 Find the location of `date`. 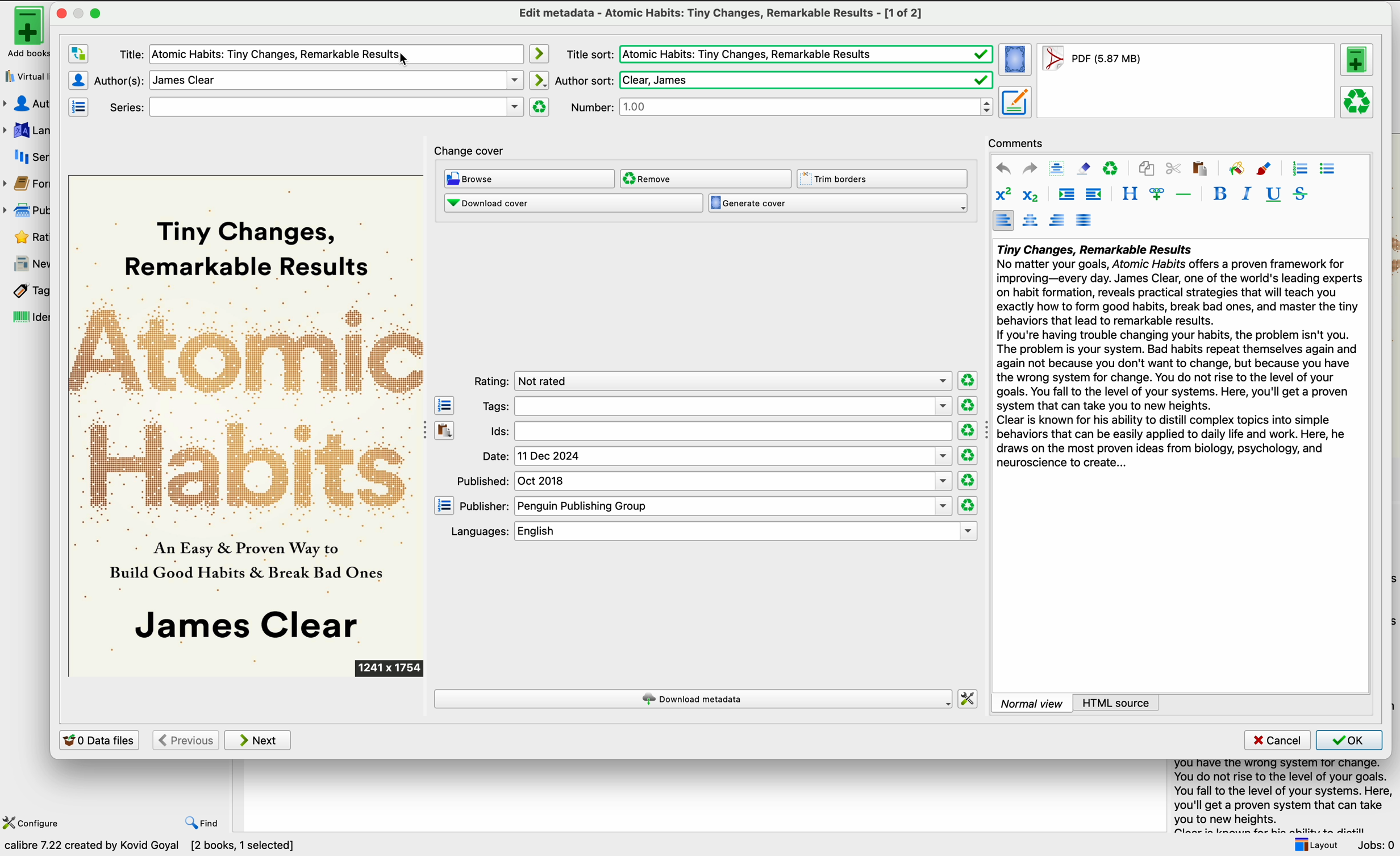

date is located at coordinates (716, 456).